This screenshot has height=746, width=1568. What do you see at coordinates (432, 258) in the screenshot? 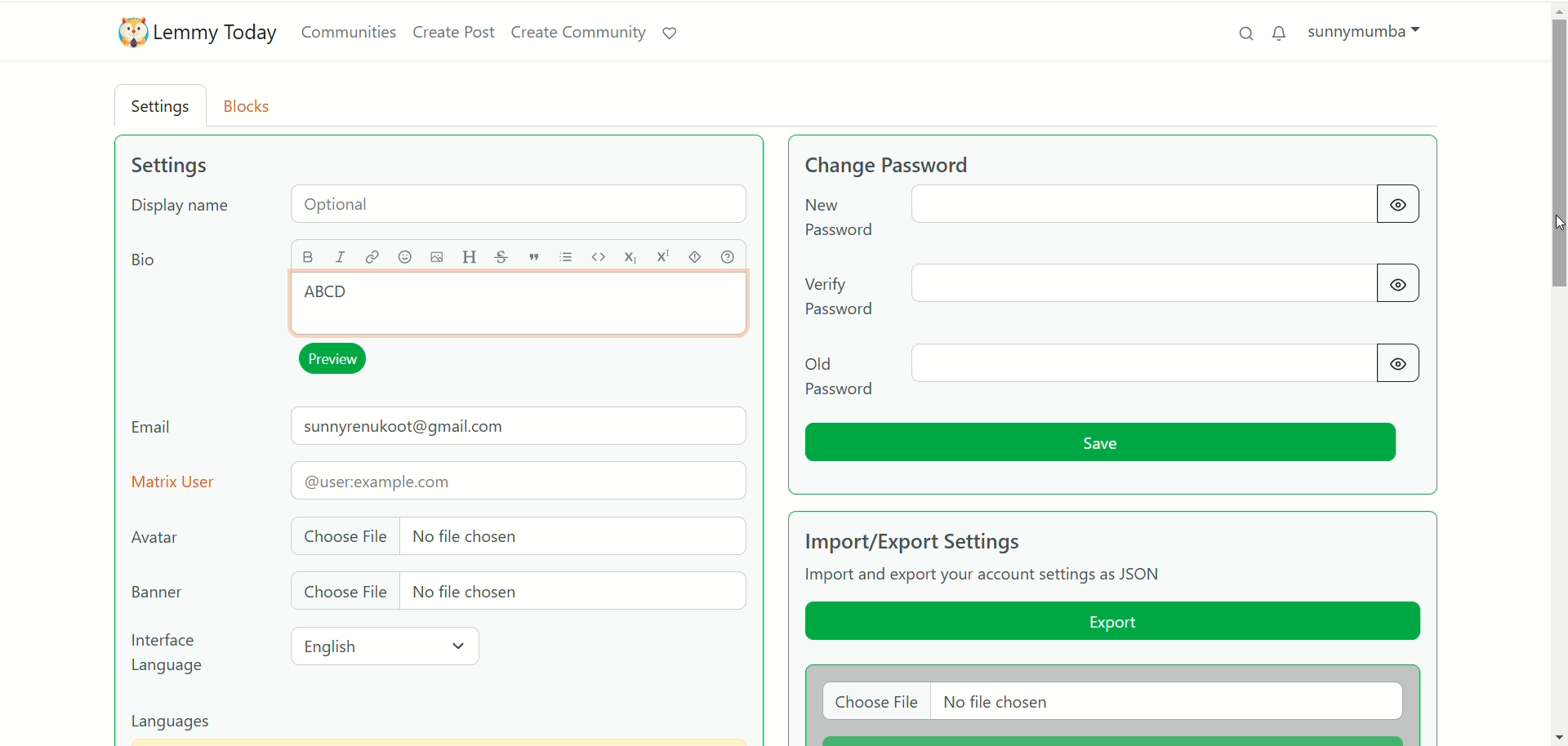
I see `image` at bounding box center [432, 258].